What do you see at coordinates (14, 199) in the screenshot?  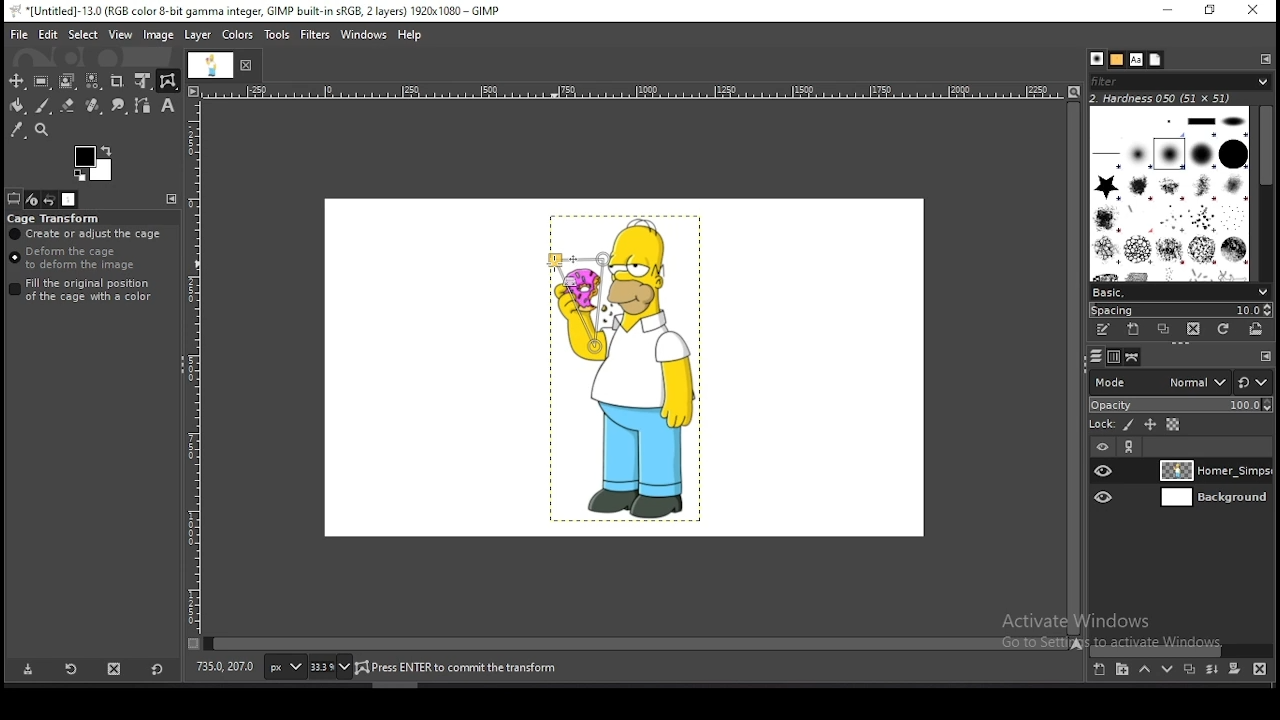 I see `tool options` at bounding box center [14, 199].